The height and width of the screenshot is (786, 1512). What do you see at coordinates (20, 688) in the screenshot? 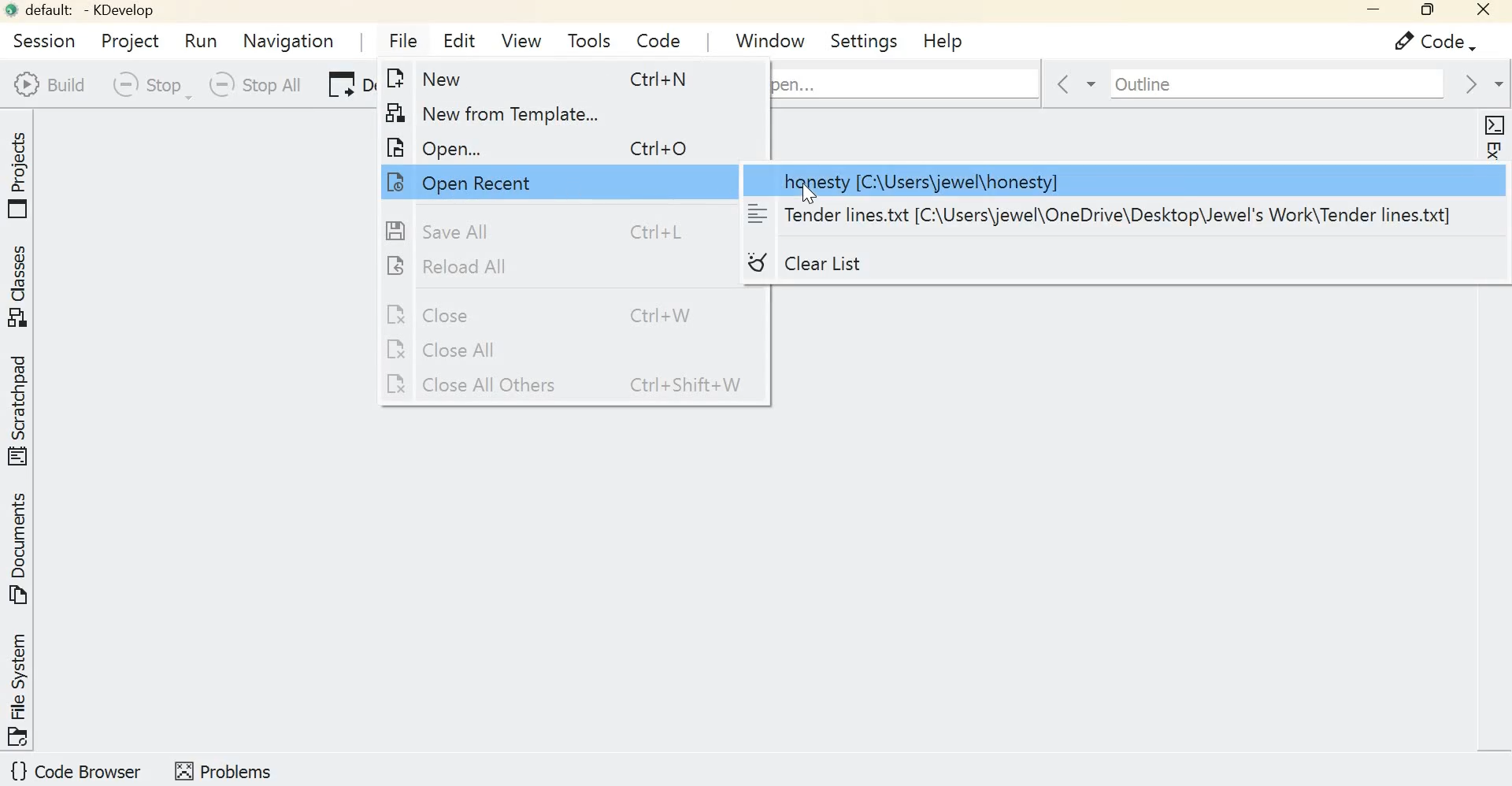
I see `Toggle 'File system' tool view` at bounding box center [20, 688].